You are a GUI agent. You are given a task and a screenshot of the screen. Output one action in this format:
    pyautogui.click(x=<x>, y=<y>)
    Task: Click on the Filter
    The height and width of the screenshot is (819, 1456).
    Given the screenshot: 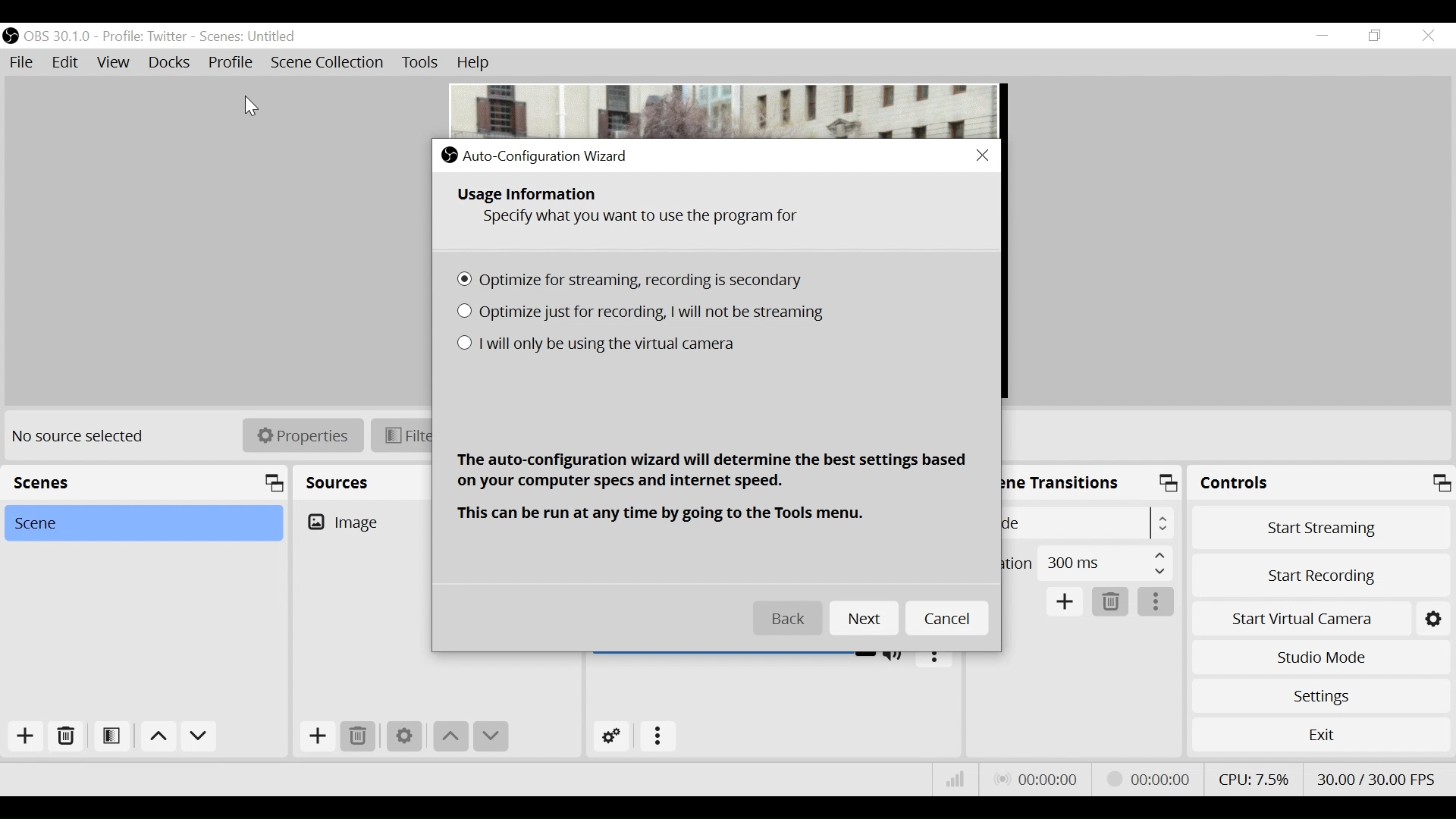 What is the action you would take?
    pyautogui.click(x=403, y=435)
    